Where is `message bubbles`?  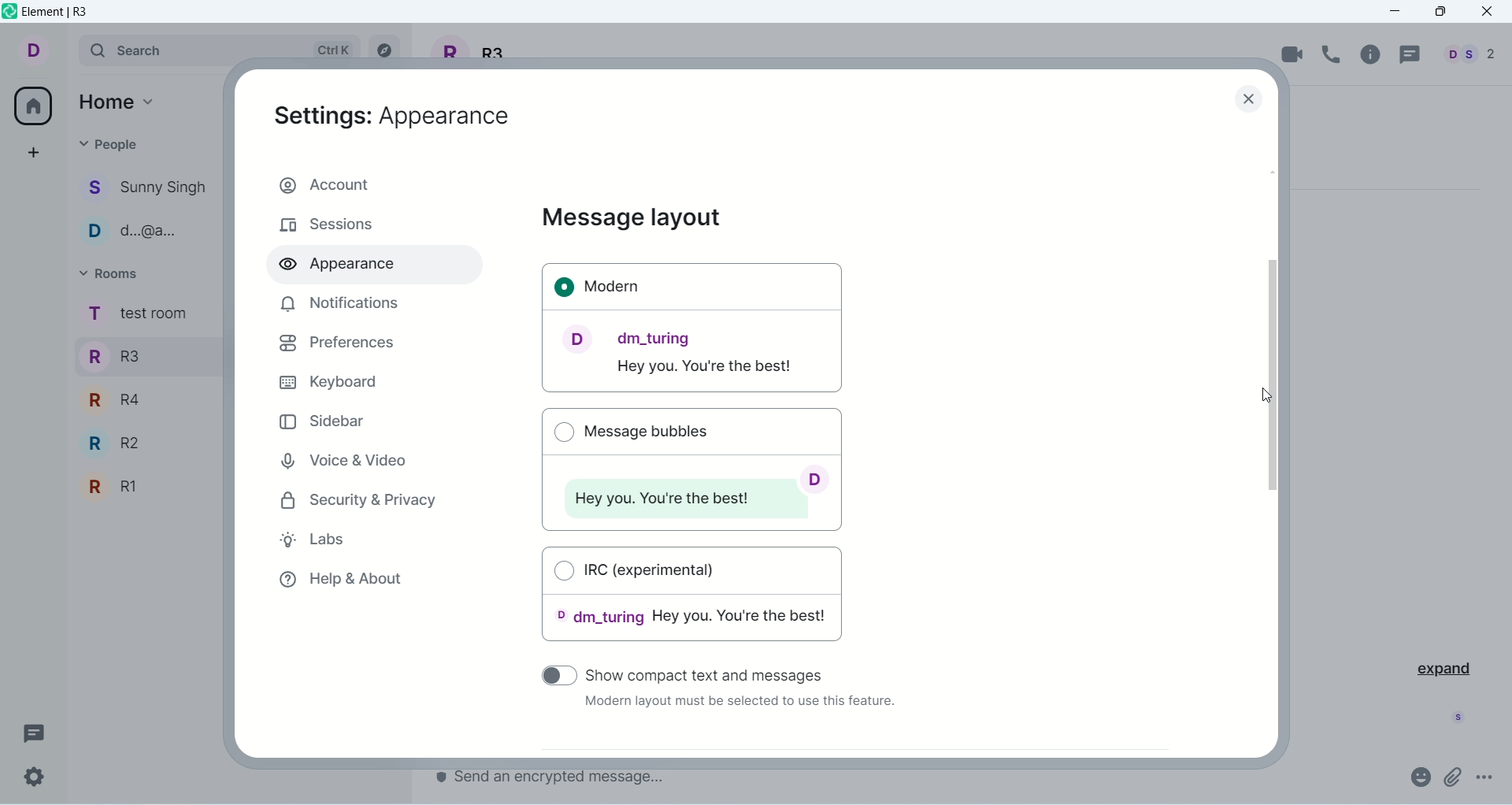 message bubbles is located at coordinates (690, 466).